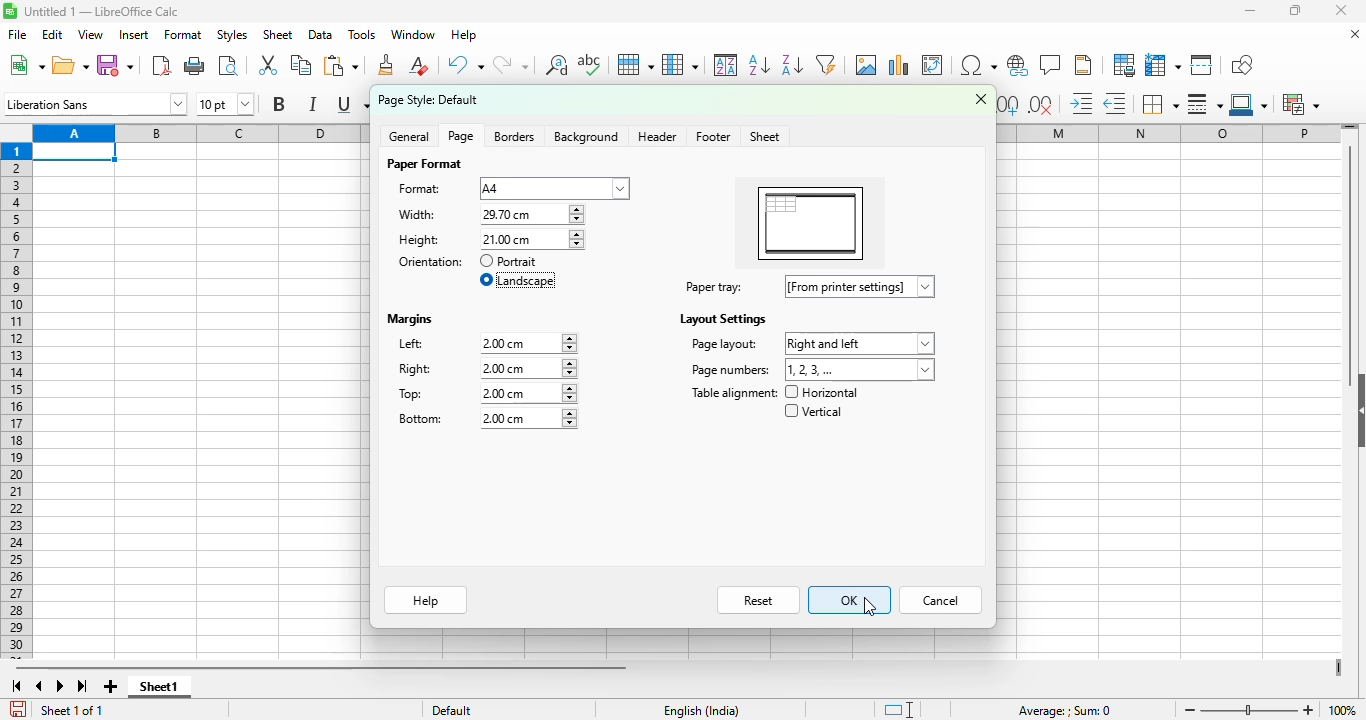  Describe the element at coordinates (1294, 11) in the screenshot. I see `maximize` at that location.